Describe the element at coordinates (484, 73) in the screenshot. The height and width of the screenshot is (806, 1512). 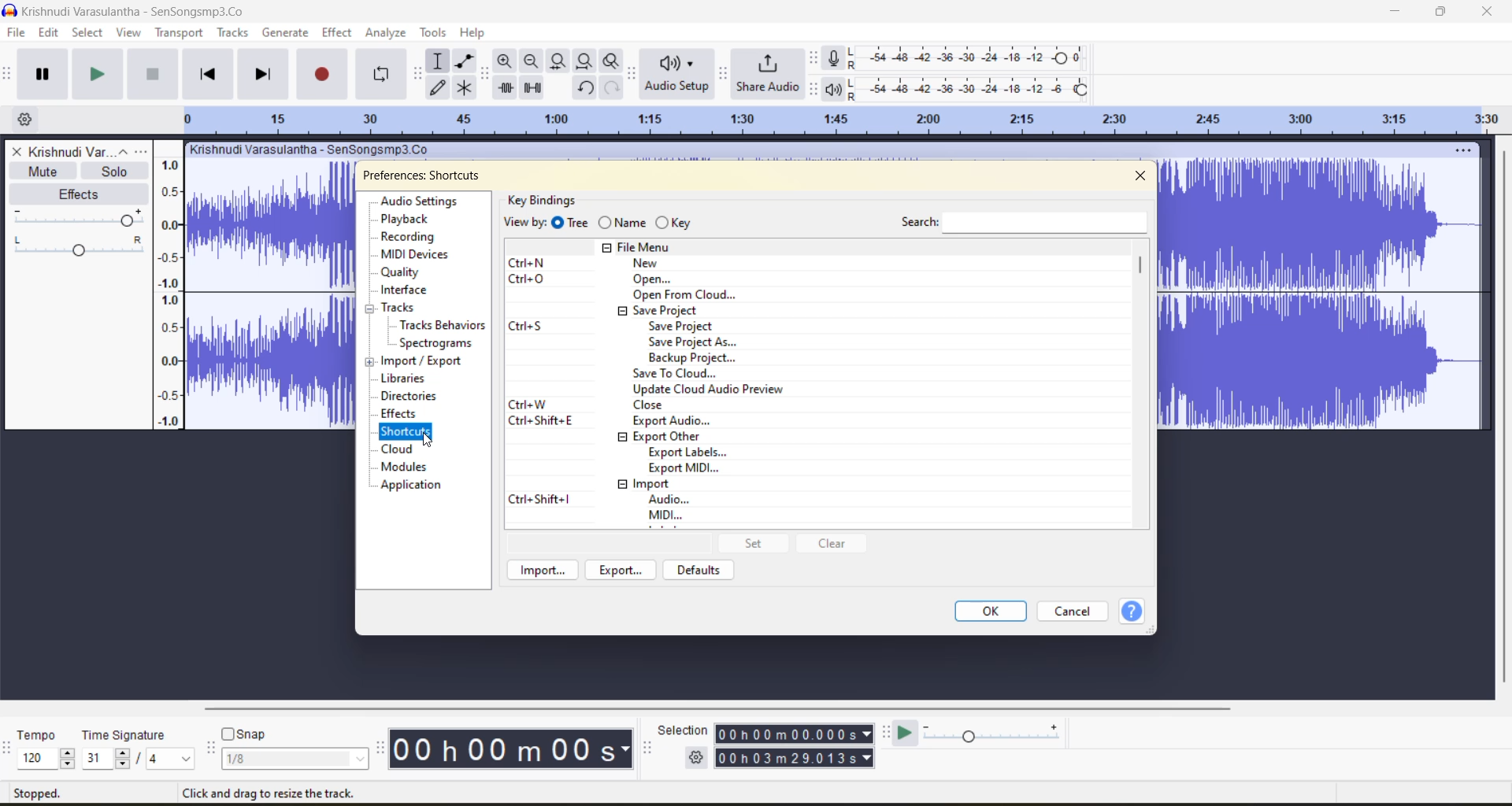
I see `edit tool bar` at that location.